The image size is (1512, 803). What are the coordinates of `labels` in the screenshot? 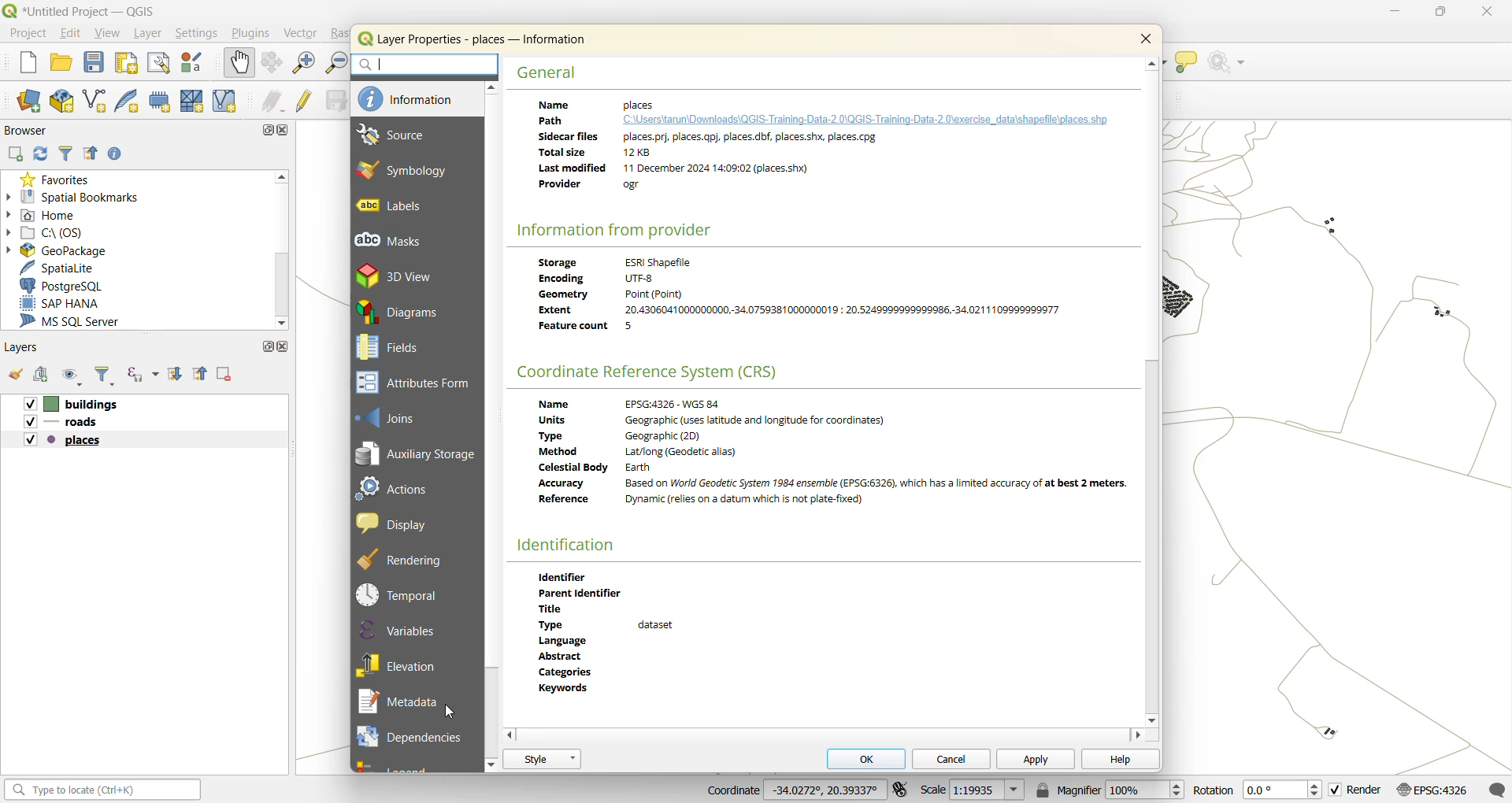 It's located at (404, 210).